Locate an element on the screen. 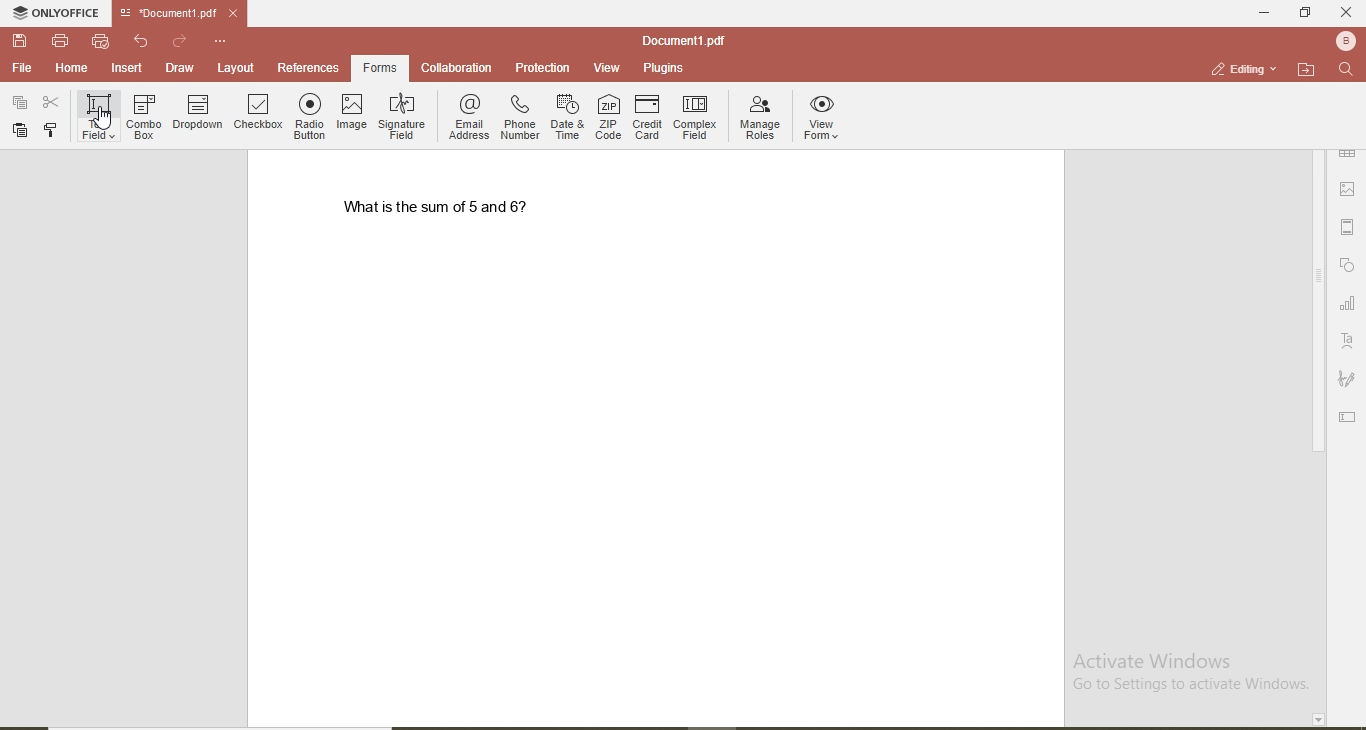 Image resolution: width=1366 pixels, height=730 pixels. image  is located at coordinates (353, 114).